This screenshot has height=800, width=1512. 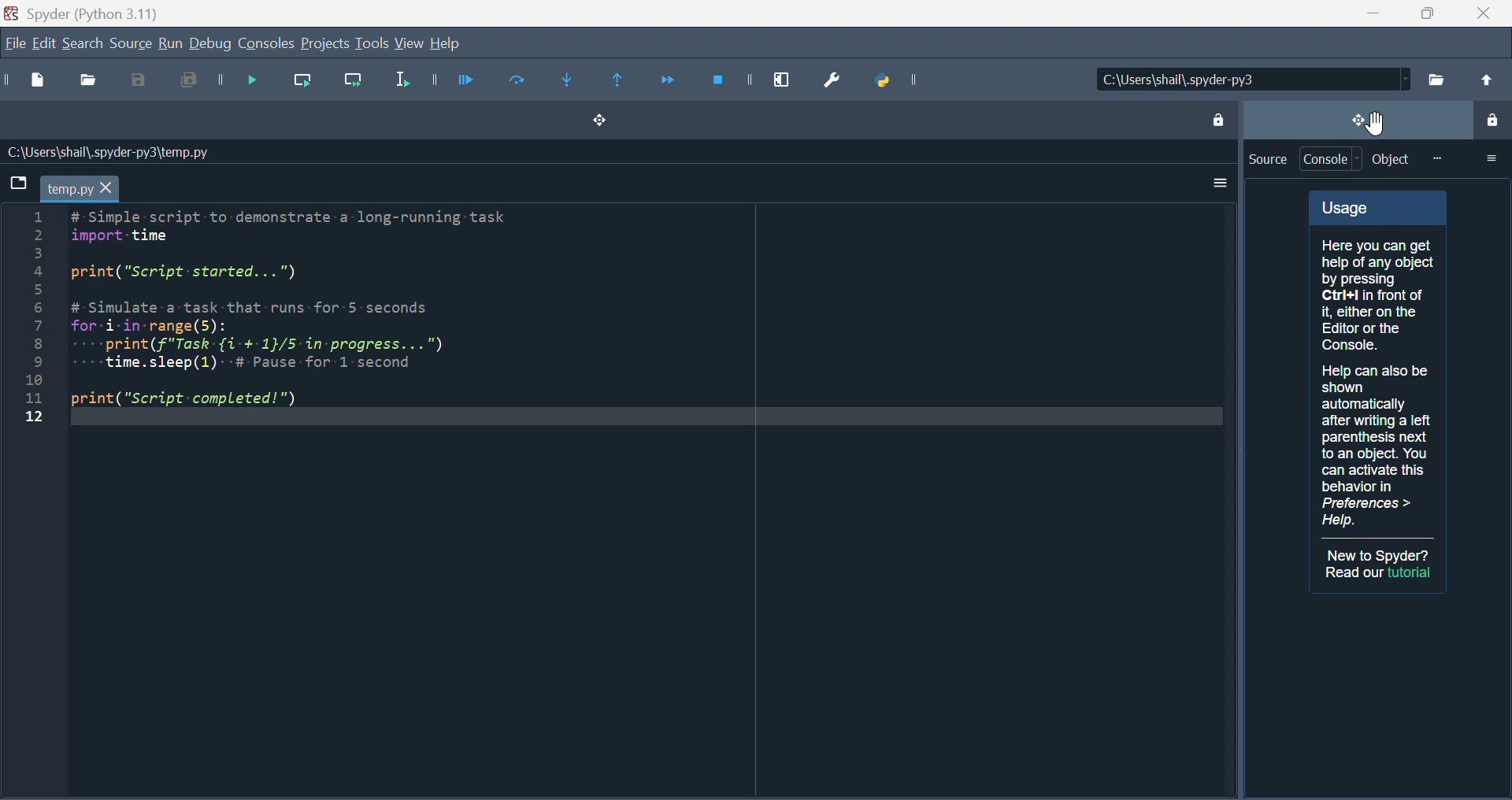 What do you see at coordinates (620, 82) in the screenshot?
I see `Execute until same function returns` at bounding box center [620, 82].